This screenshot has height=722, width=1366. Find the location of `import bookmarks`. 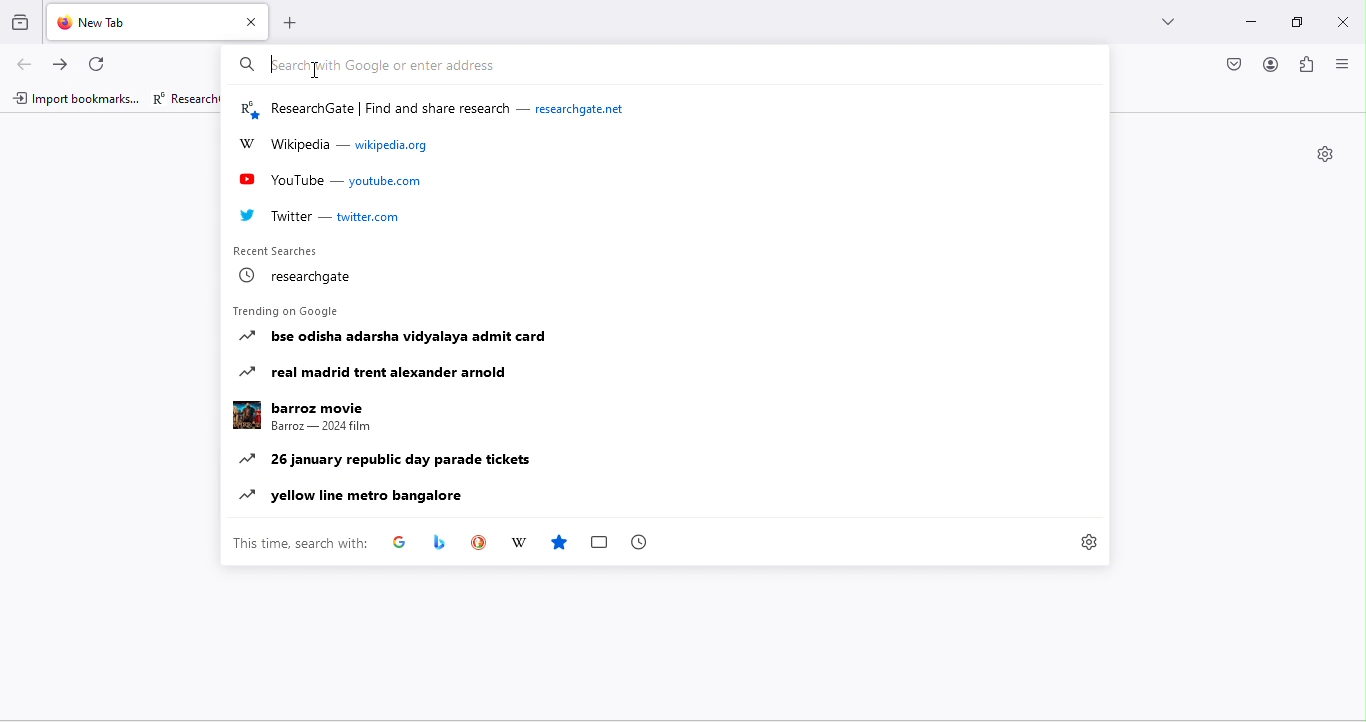

import bookmarks is located at coordinates (76, 99).